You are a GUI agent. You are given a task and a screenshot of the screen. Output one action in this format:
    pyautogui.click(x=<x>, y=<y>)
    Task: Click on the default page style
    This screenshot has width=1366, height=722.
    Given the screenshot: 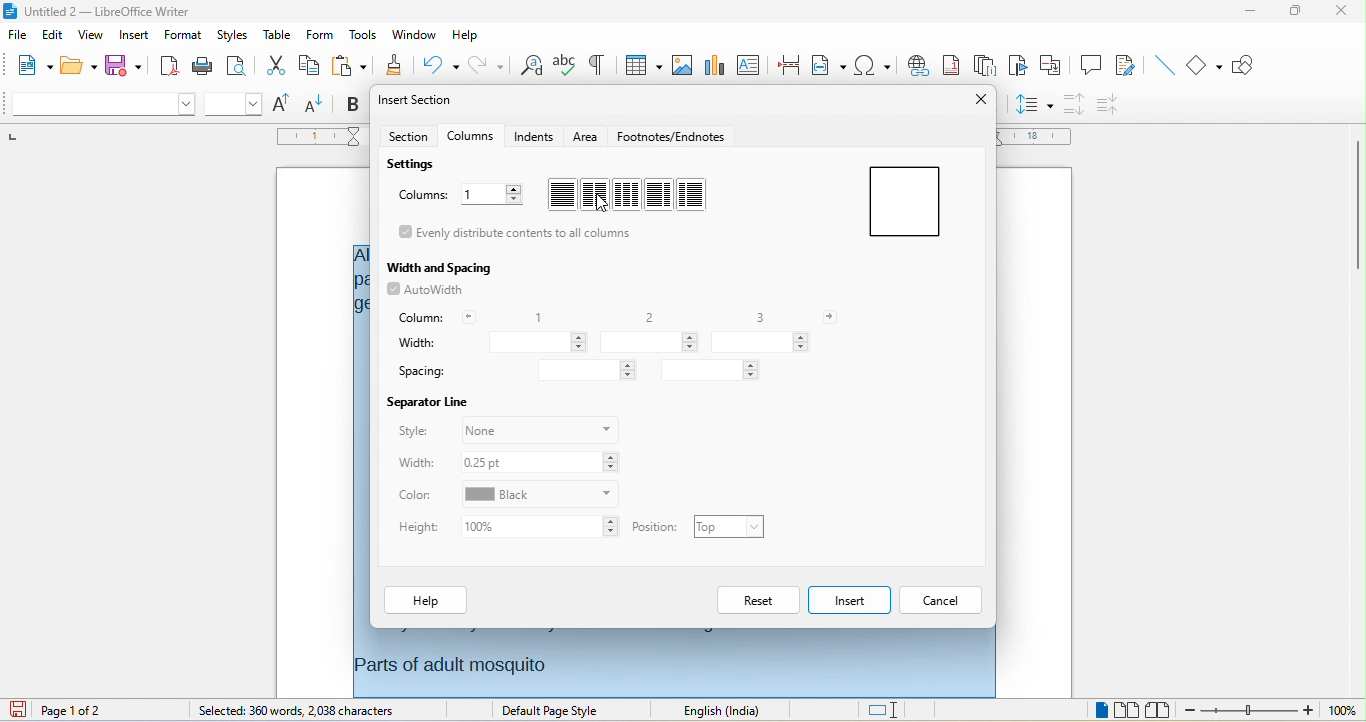 What is the action you would take?
    pyautogui.click(x=553, y=711)
    